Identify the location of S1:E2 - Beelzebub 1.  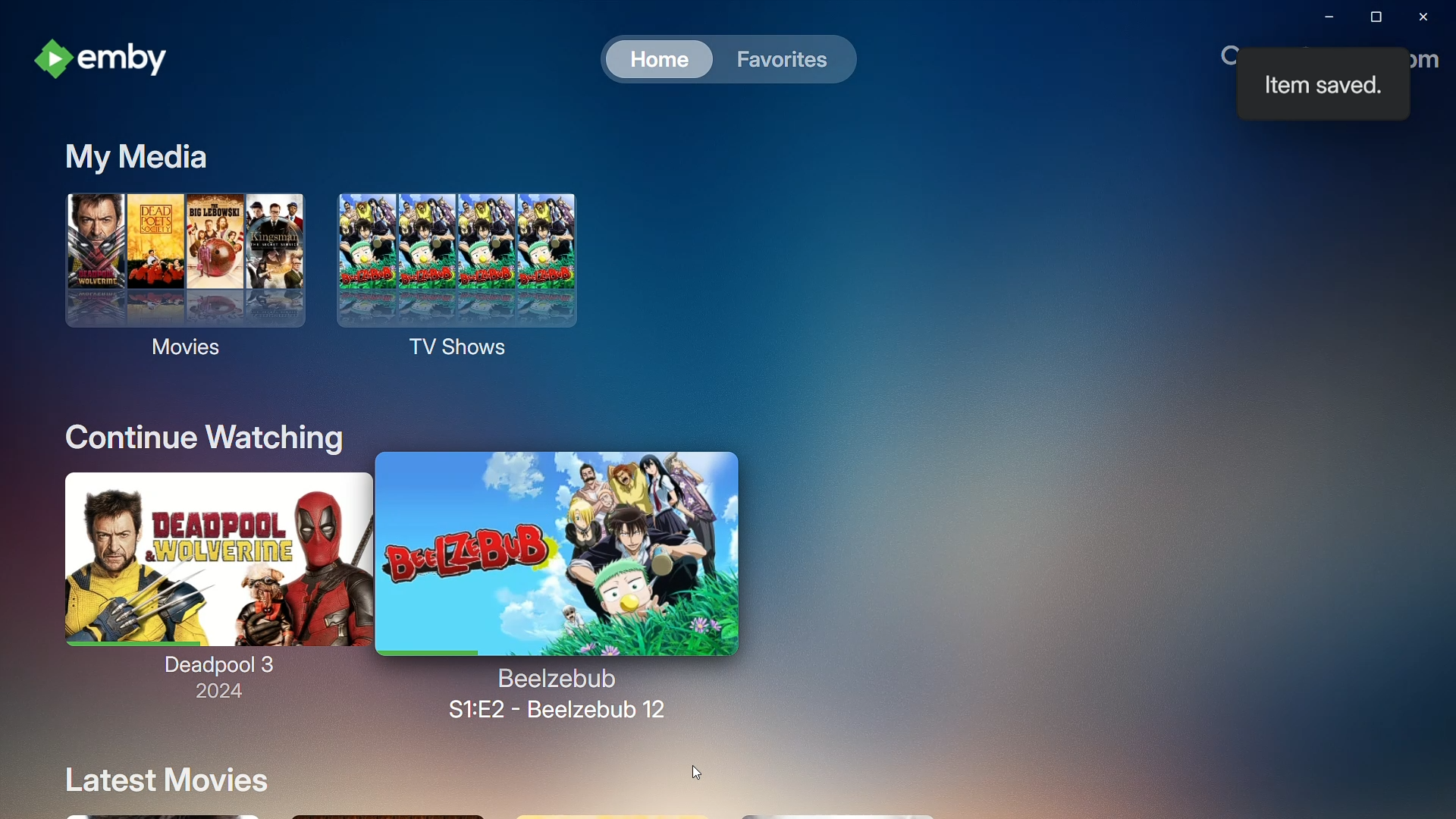
(557, 693).